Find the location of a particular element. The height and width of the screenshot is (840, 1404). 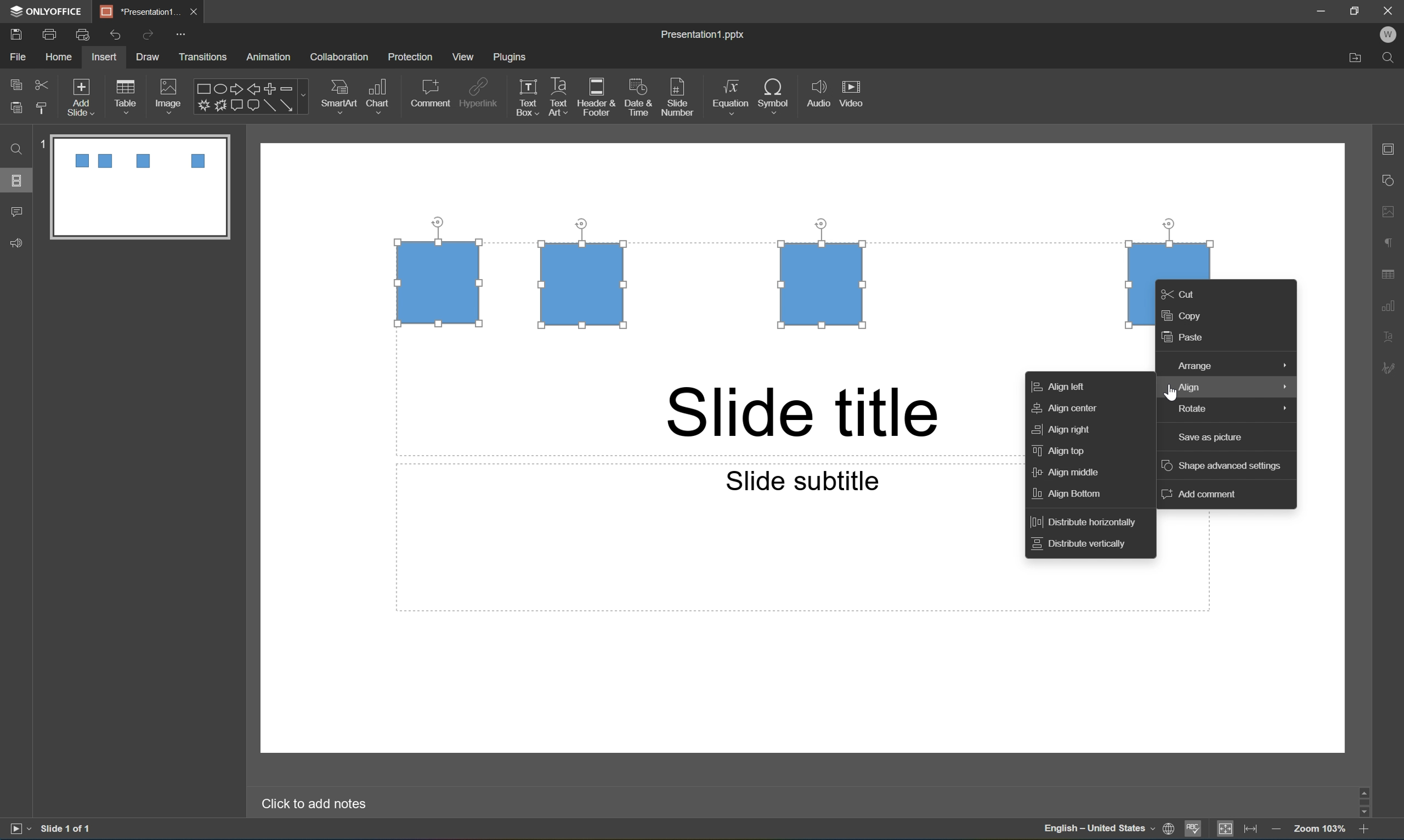

slide settings is located at coordinates (1393, 150).